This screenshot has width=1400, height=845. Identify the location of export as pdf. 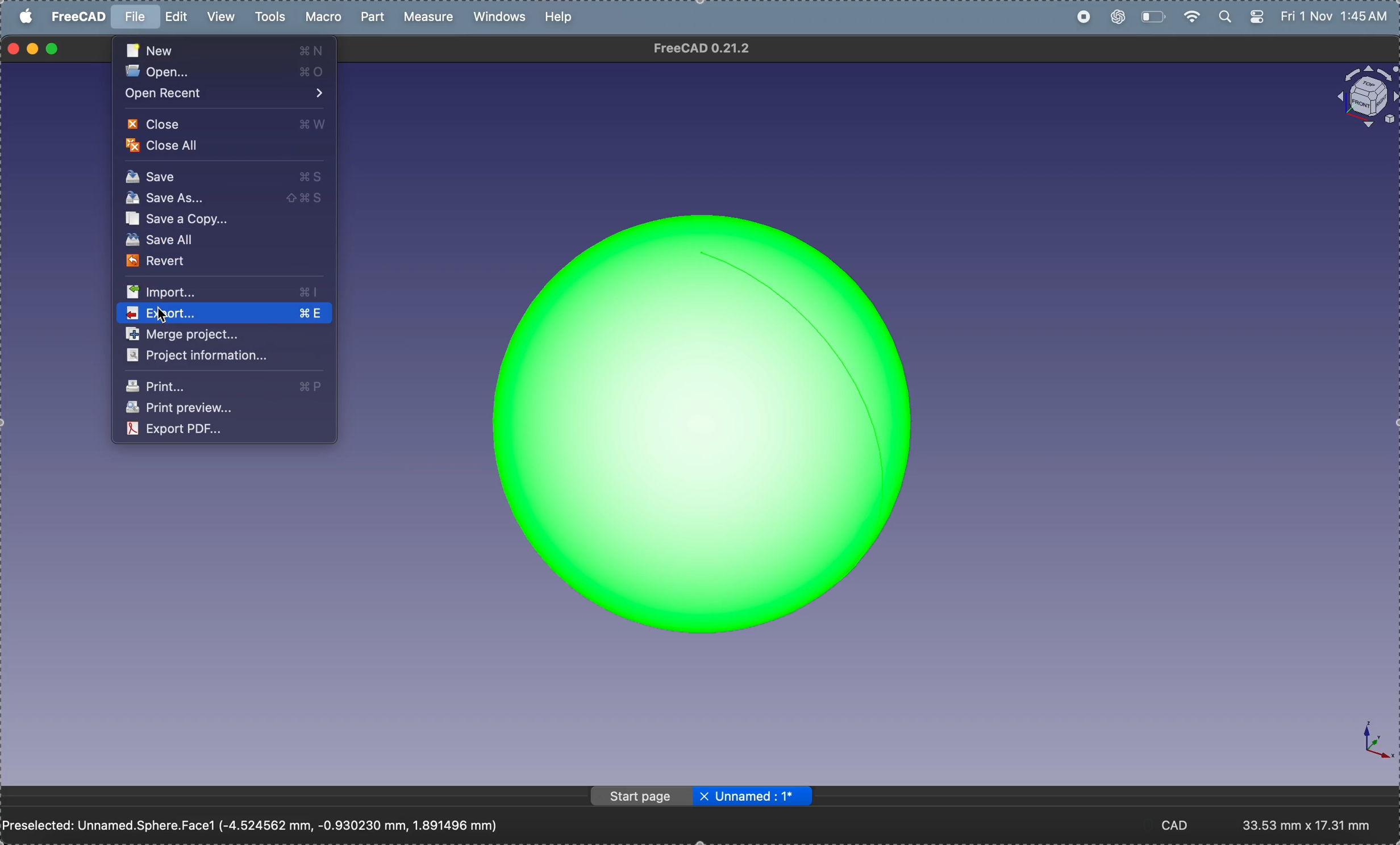
(231, 432).